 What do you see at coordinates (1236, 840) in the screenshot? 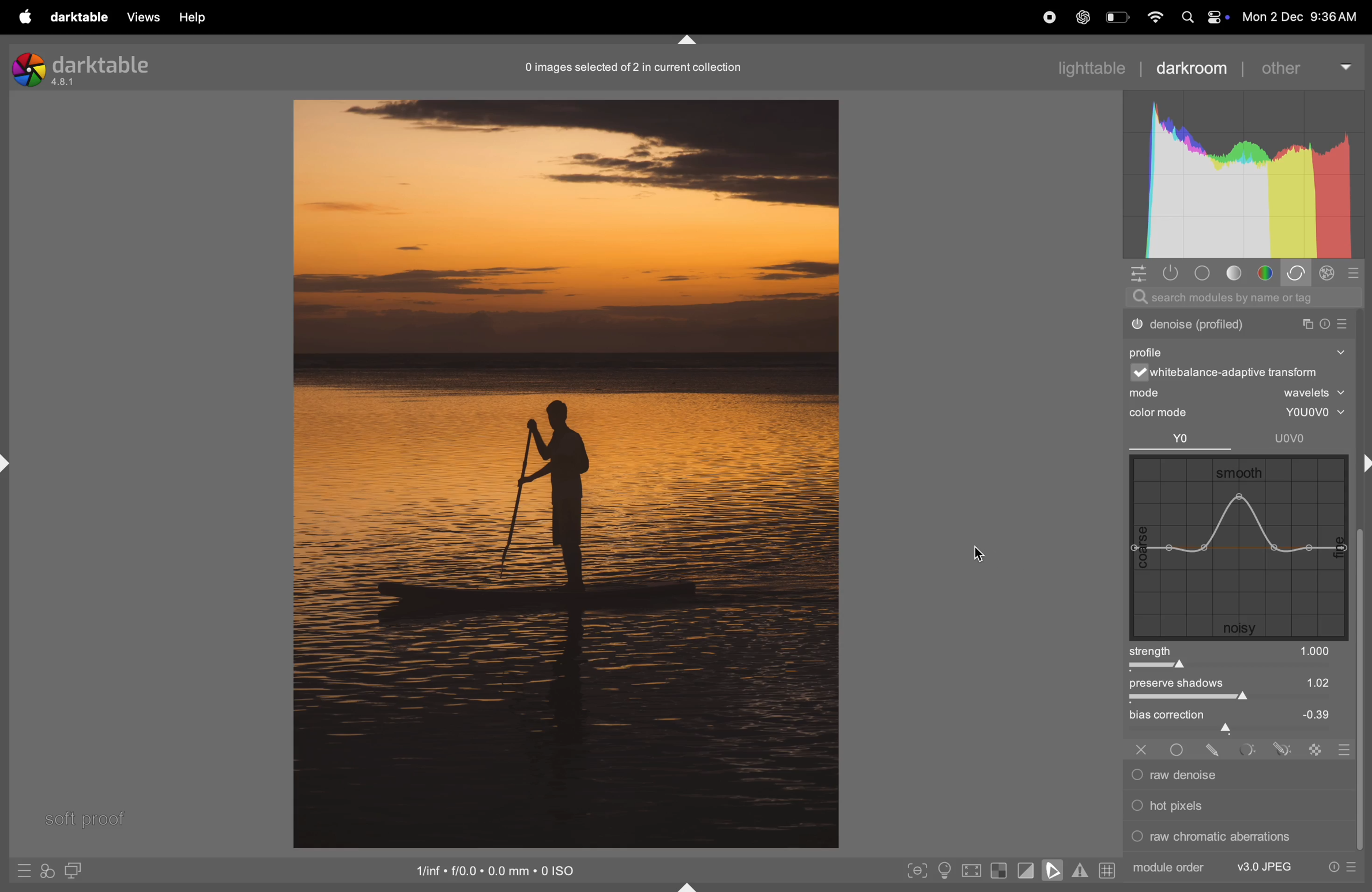
I see `raw chromatic ` at bounding box center [1236, 840].